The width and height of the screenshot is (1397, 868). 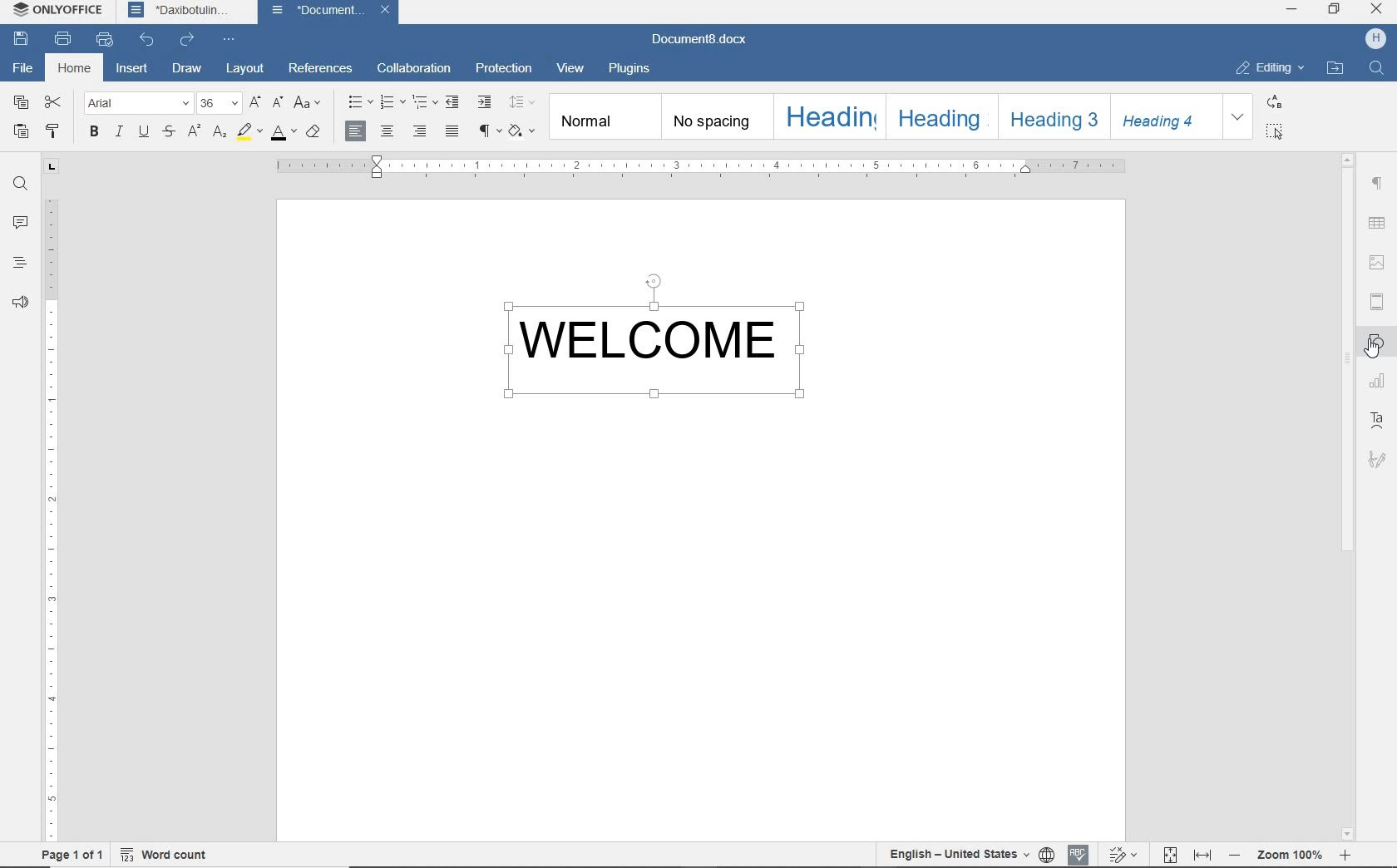 I want to click on TRACK CHANGES, so click(x=1126, y=854).